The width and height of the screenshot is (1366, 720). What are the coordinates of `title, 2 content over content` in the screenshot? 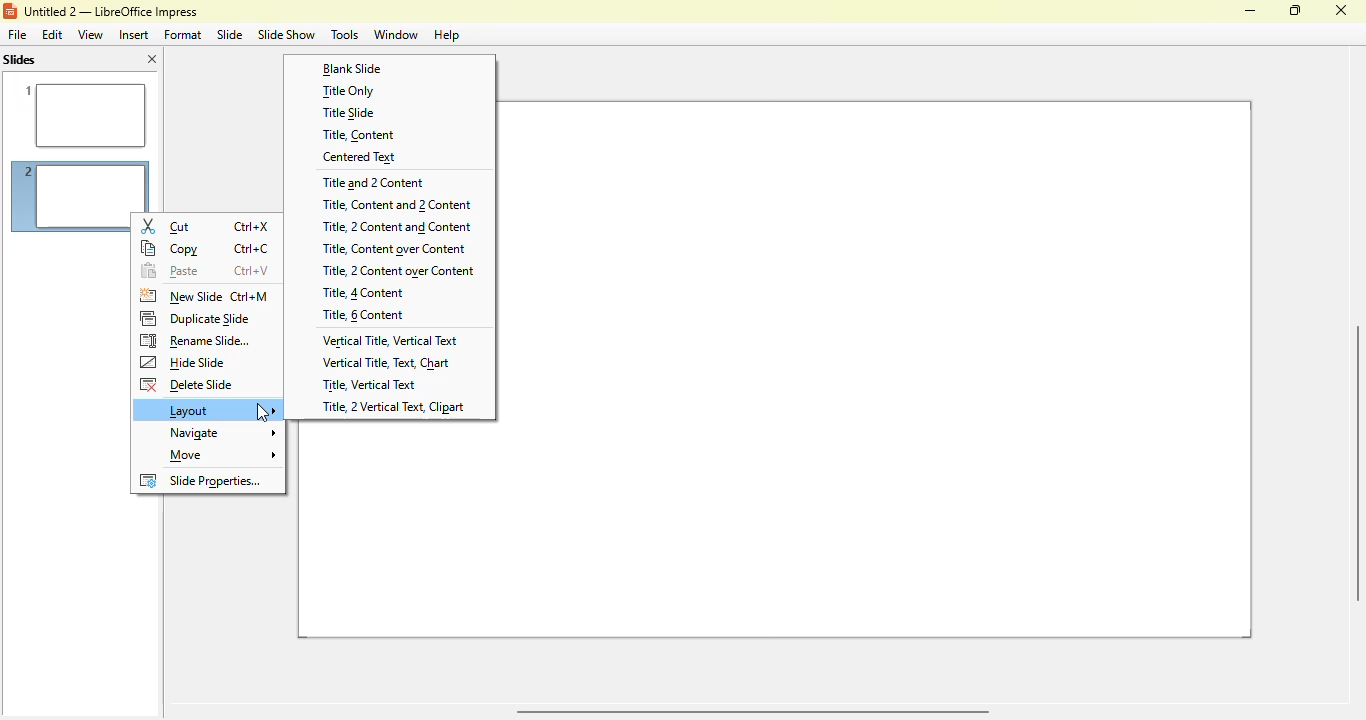 It's located at (396, 271).